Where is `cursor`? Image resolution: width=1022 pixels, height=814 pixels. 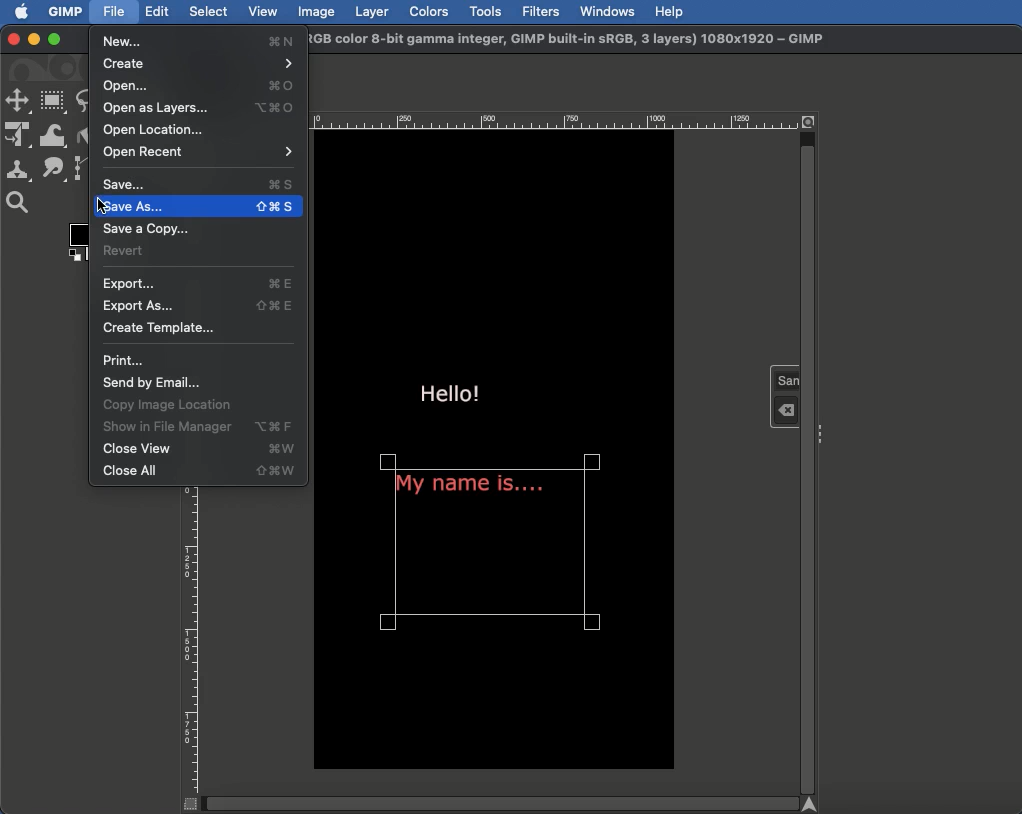
cursor is located at coordinates (100, 207).